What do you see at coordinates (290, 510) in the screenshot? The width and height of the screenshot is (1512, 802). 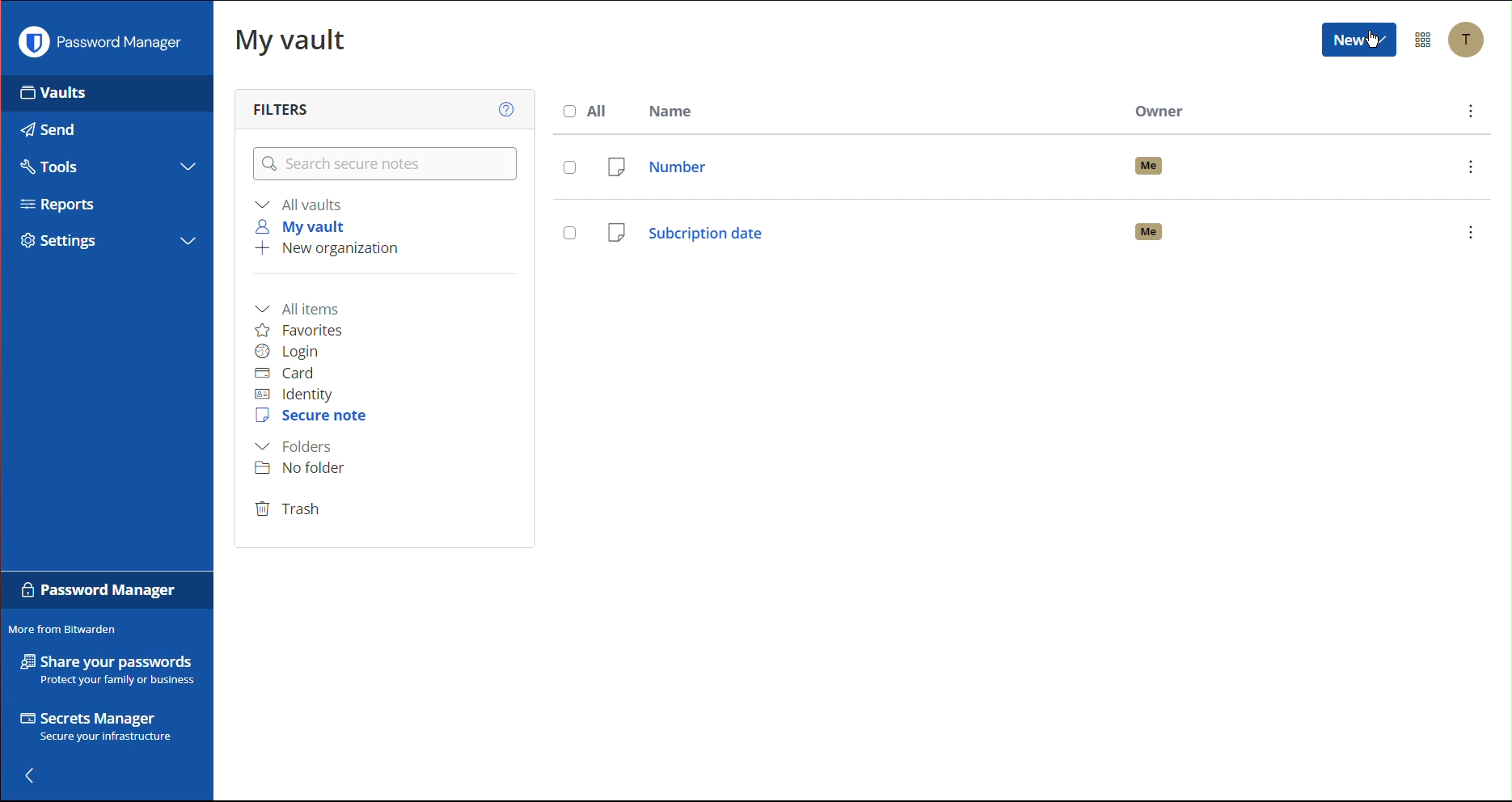 I see `Trash` at bounding box center [290, 510].